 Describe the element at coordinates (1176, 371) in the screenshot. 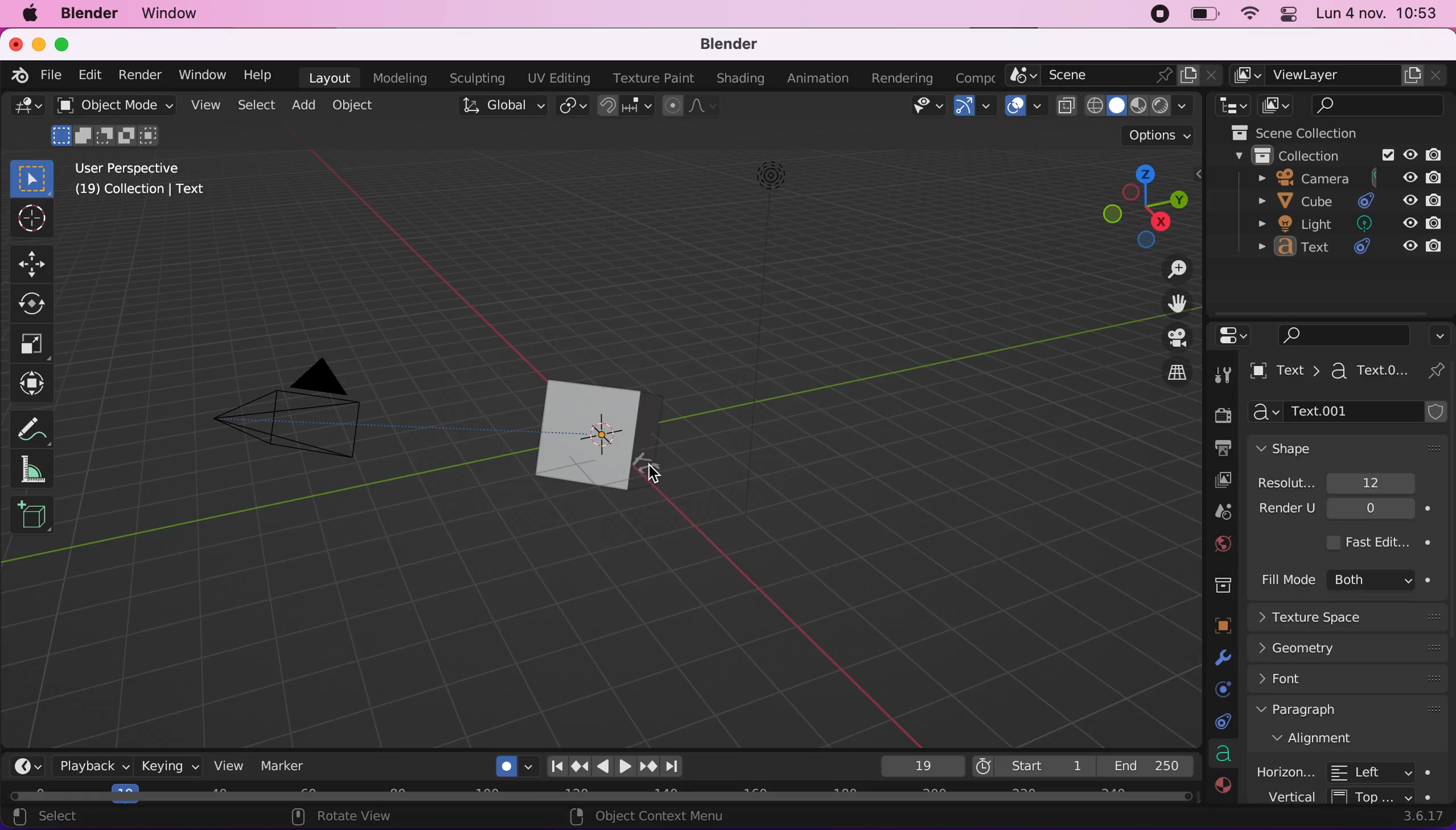

I see `switch the current view` at that location.